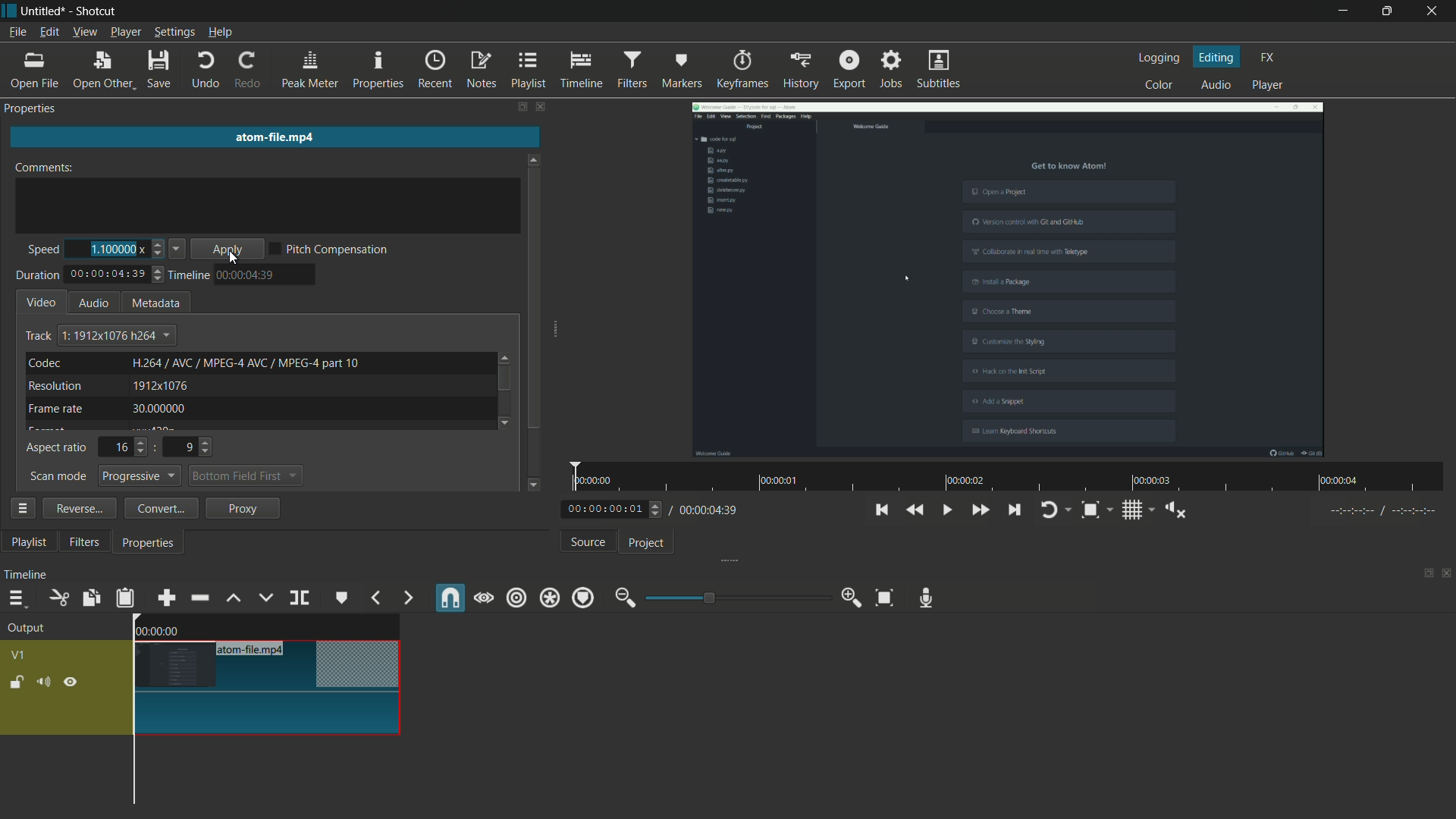 The width and height of the screenshot is (1456, 819). Describe the element at coordinates (17, 682) in the screenshot. I see `lock` at that location.